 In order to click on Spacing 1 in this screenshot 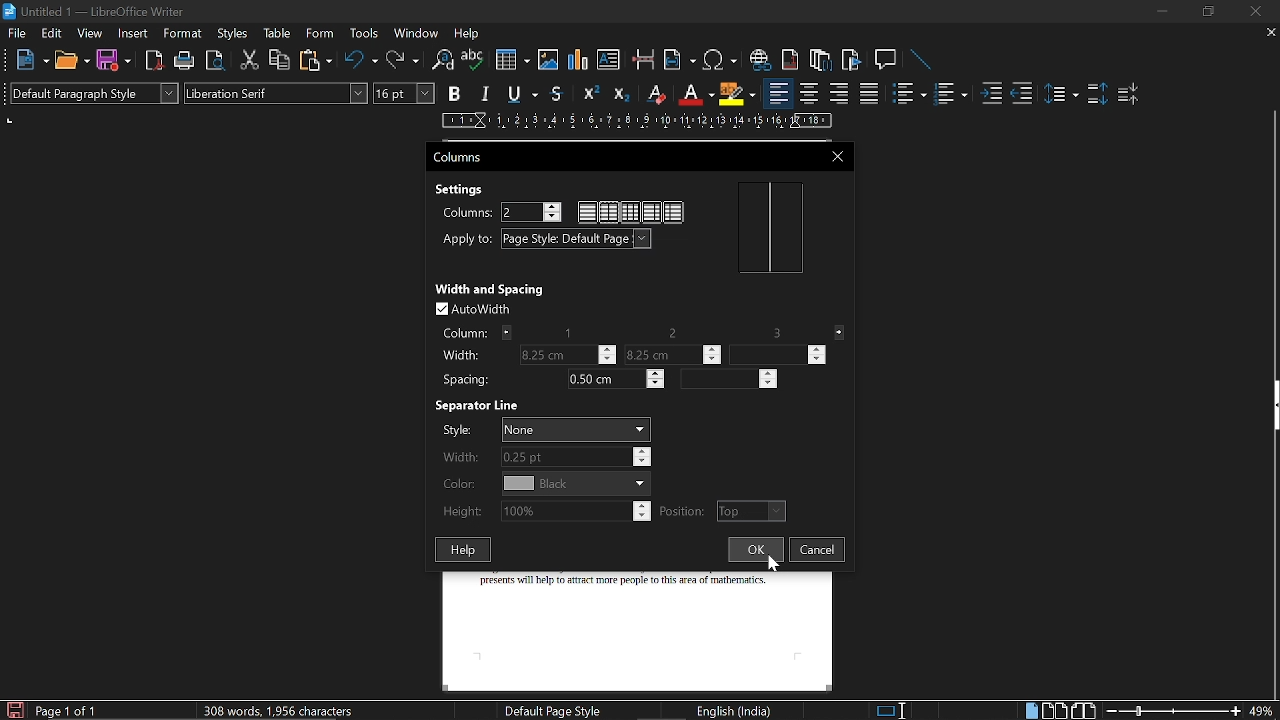, I will do `click(605, 380)`.